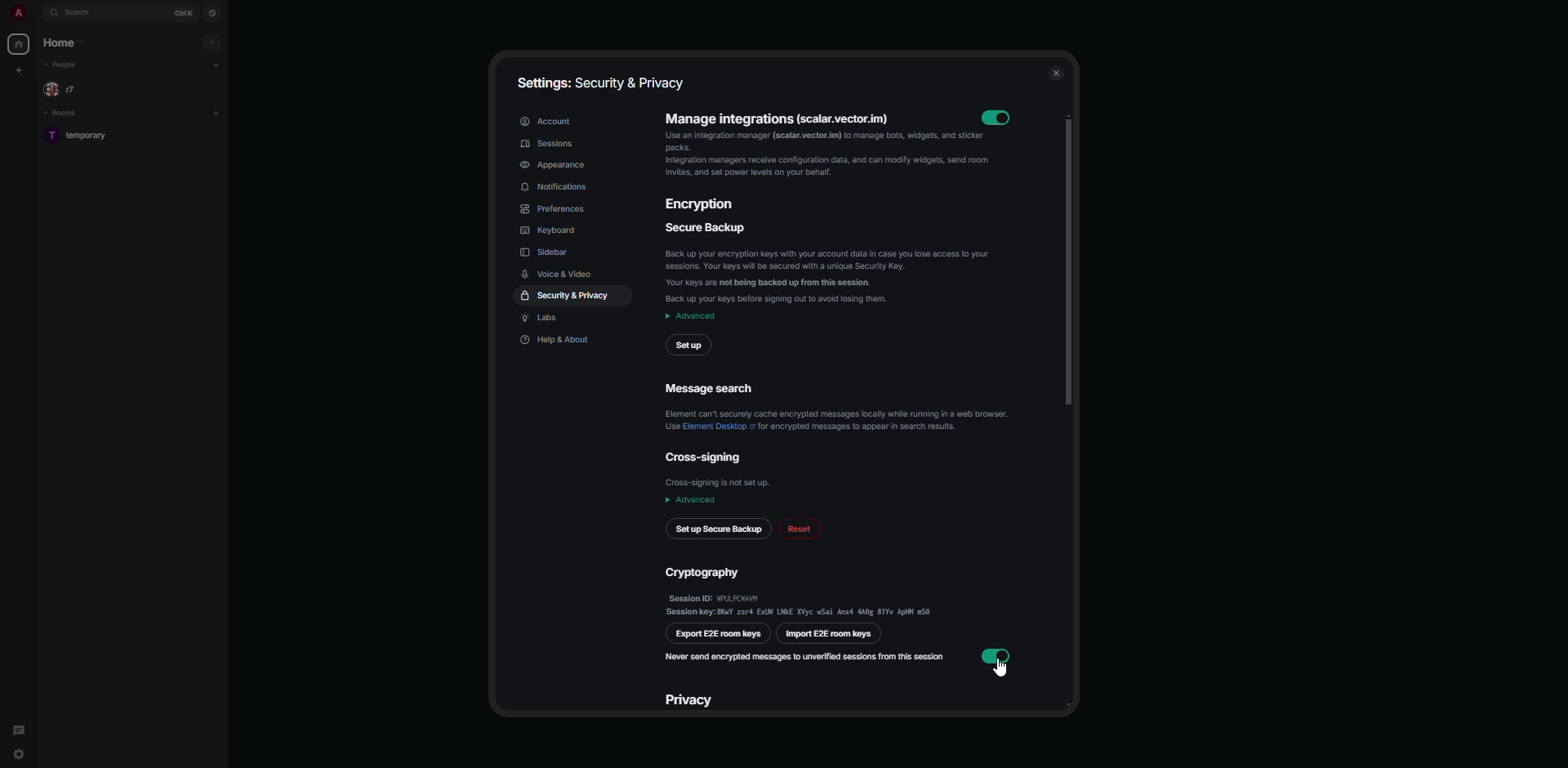 This screenshot has width=1568, height=768. What do you see at coordinates (65, 42) in the screenshot?
I see `home` at bounding box center [65, 42].